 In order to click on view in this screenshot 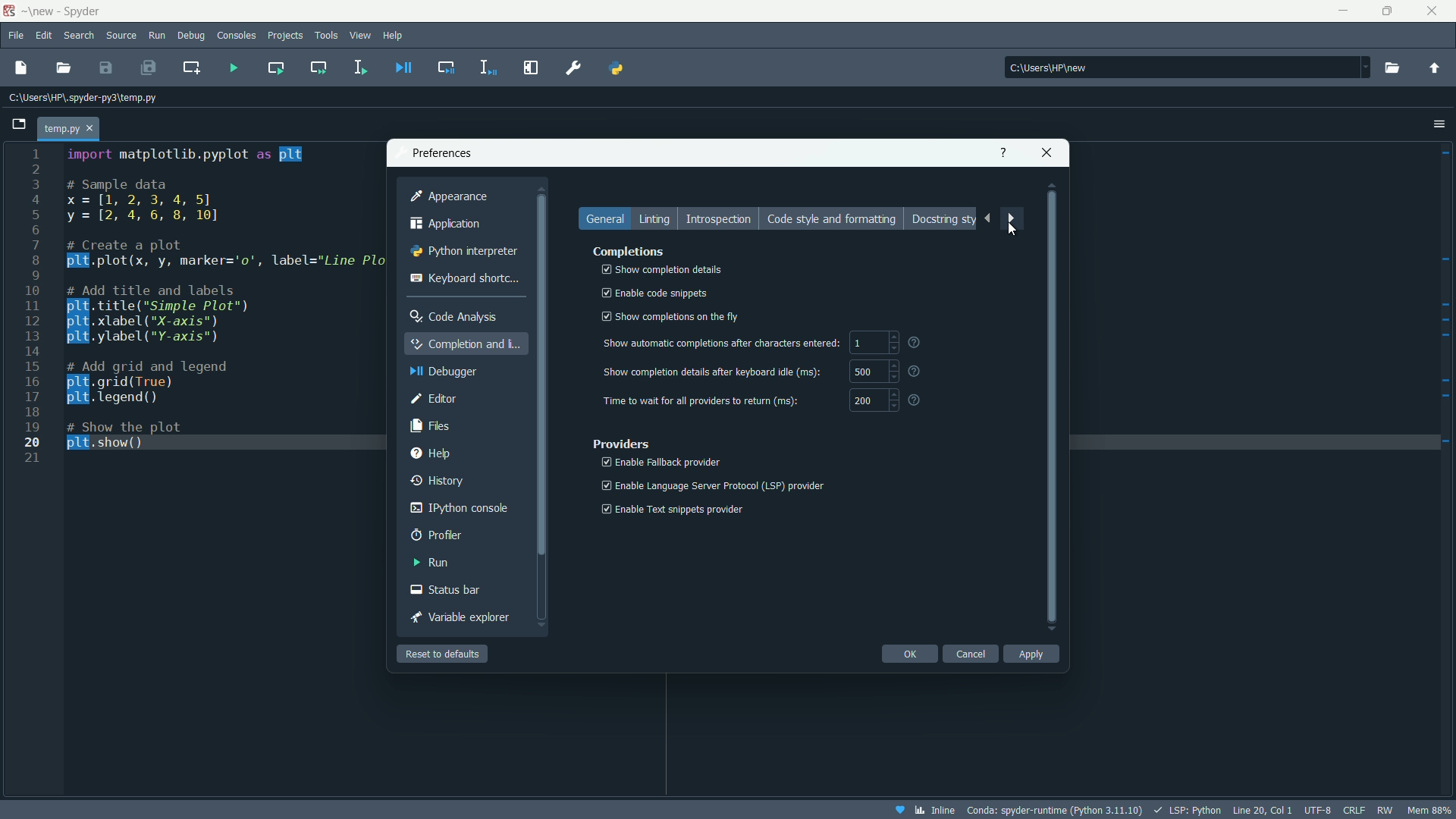, I will do `click(361, 35)`.